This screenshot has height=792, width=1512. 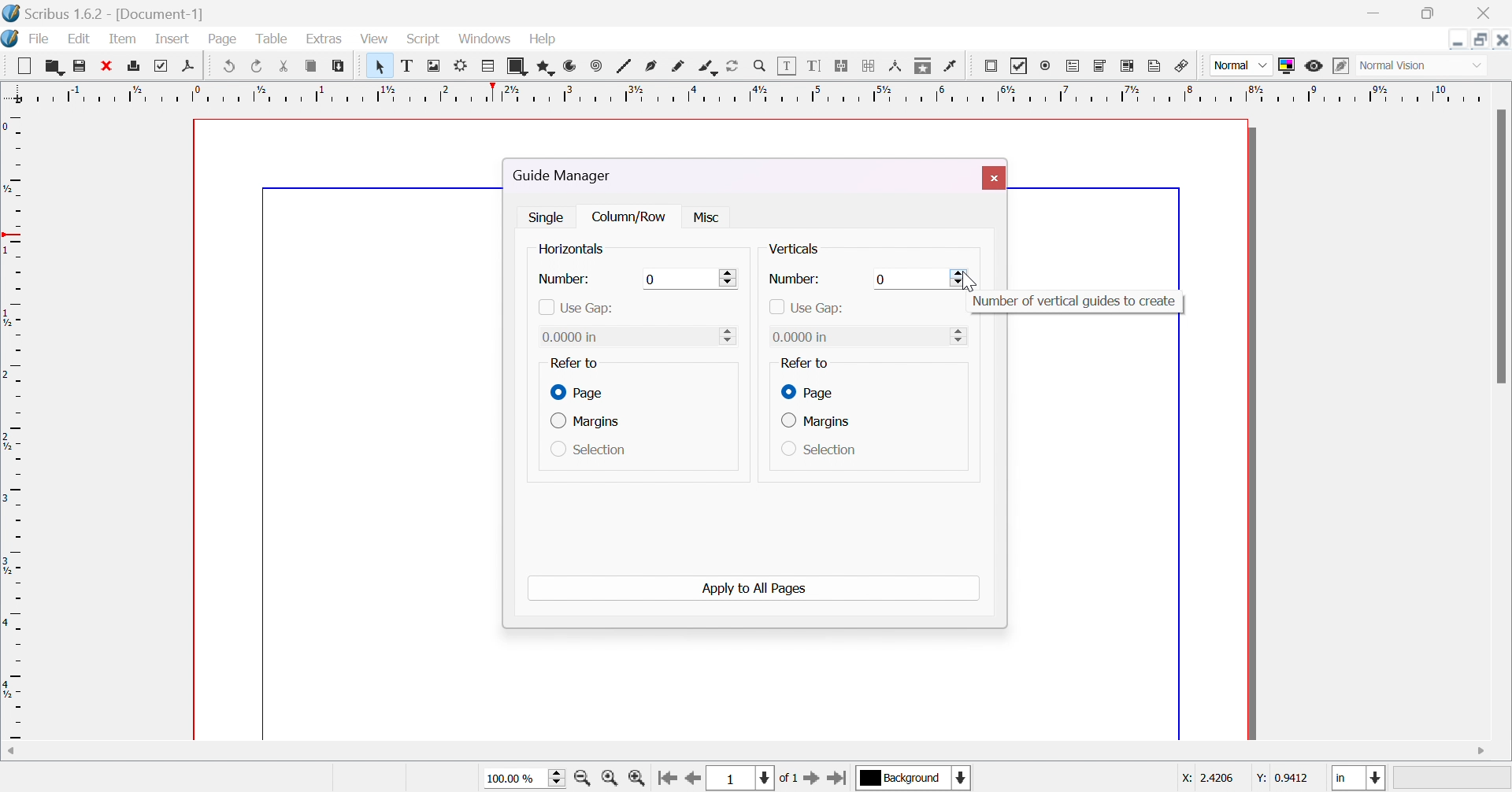 What do you see at coordinates (881, 280) in the screenshot?
I see `` at bounding box center [881, 280].